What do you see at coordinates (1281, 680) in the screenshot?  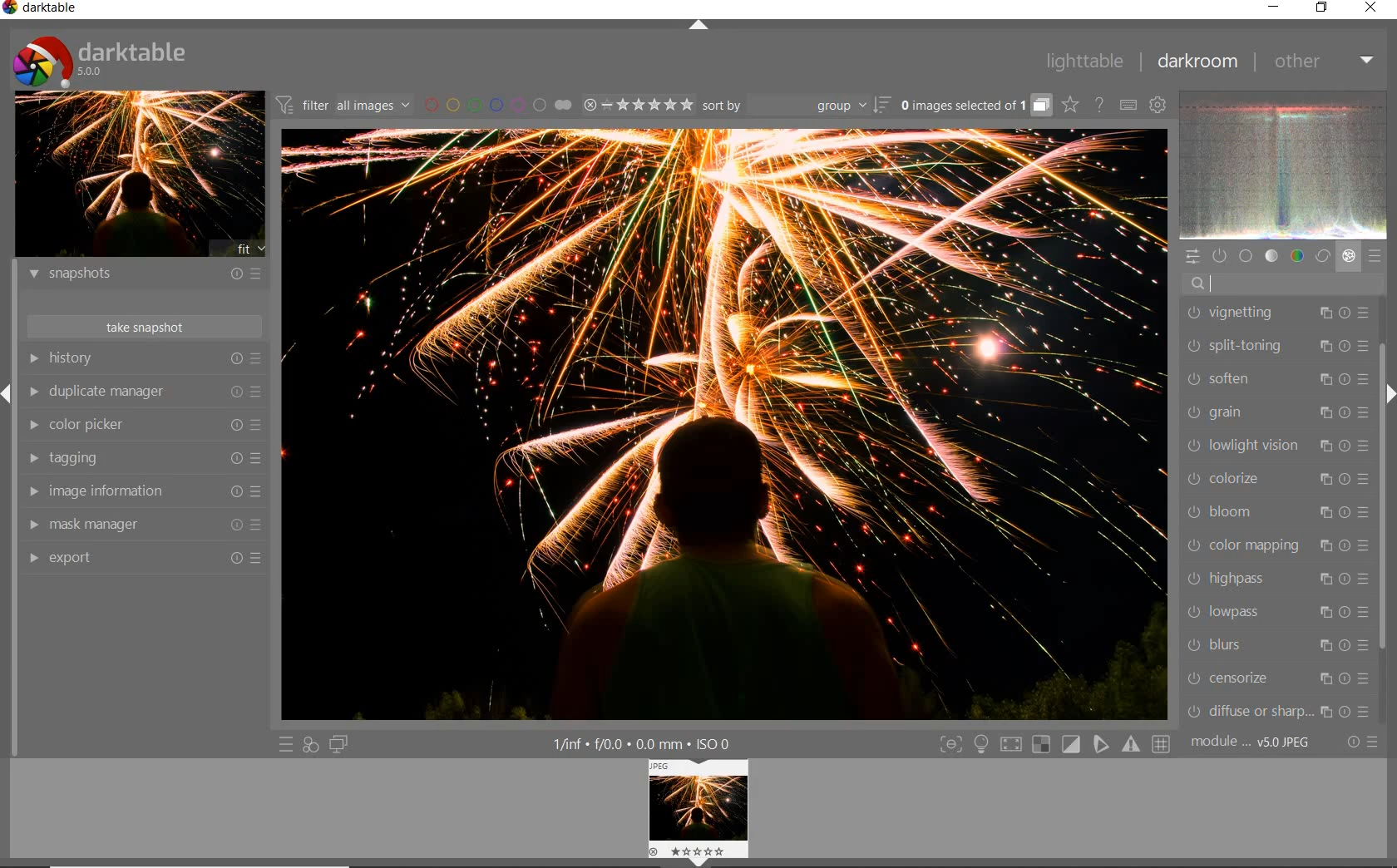 I see `censorize` at bounding box center [1281, 680].